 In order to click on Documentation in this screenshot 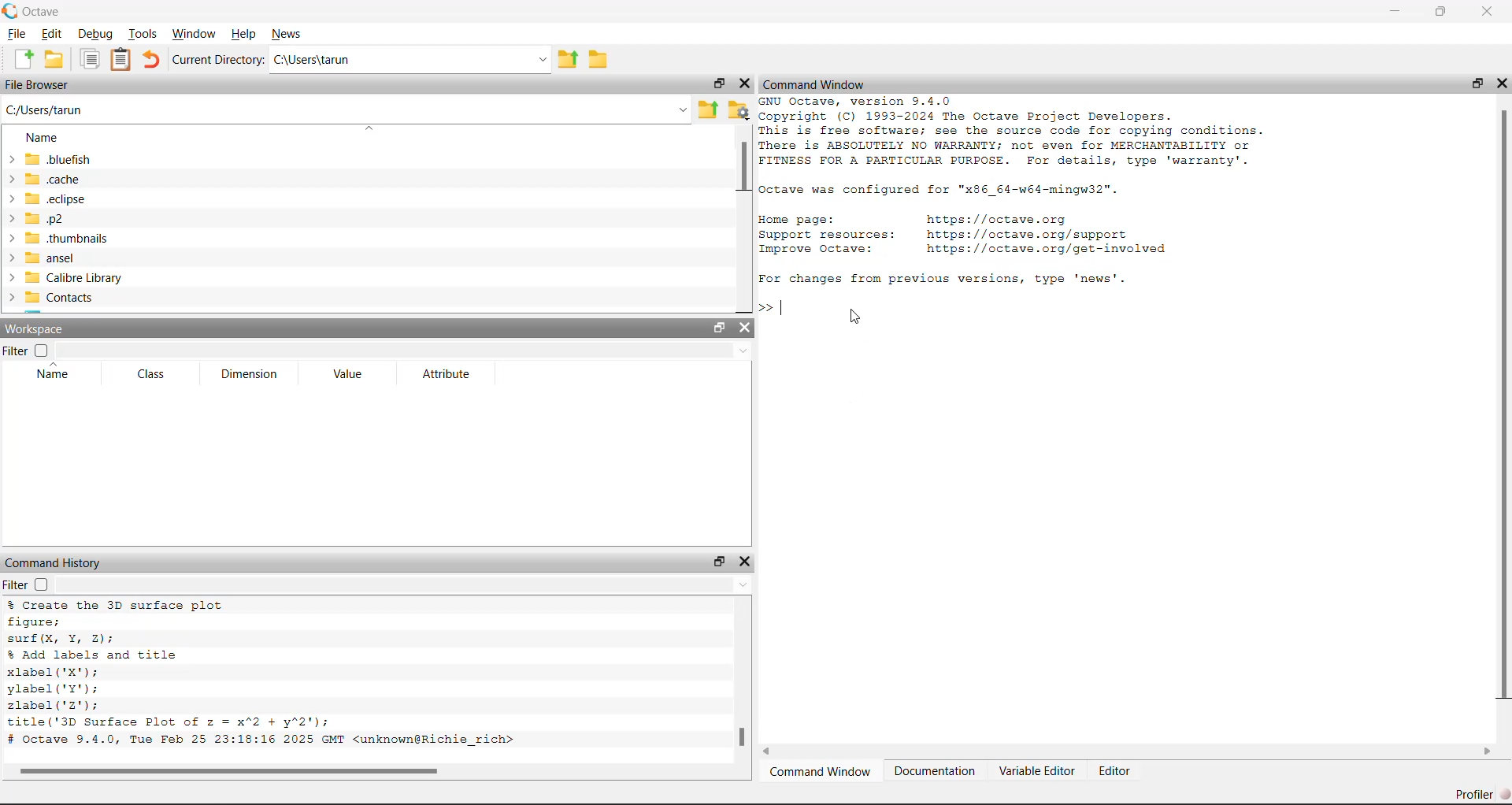, I will do `click(934, 772)`.